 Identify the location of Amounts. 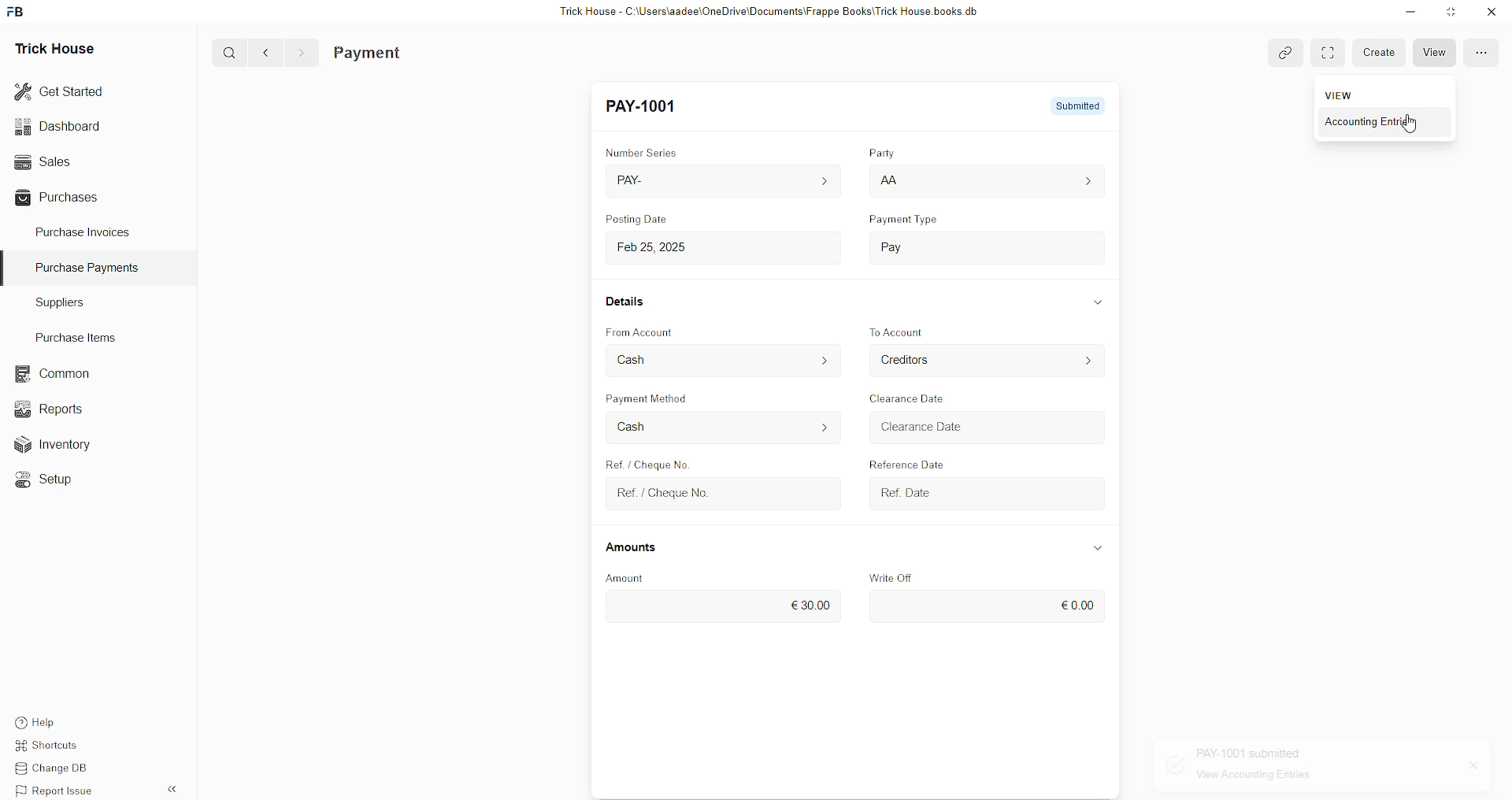
(641, 548).